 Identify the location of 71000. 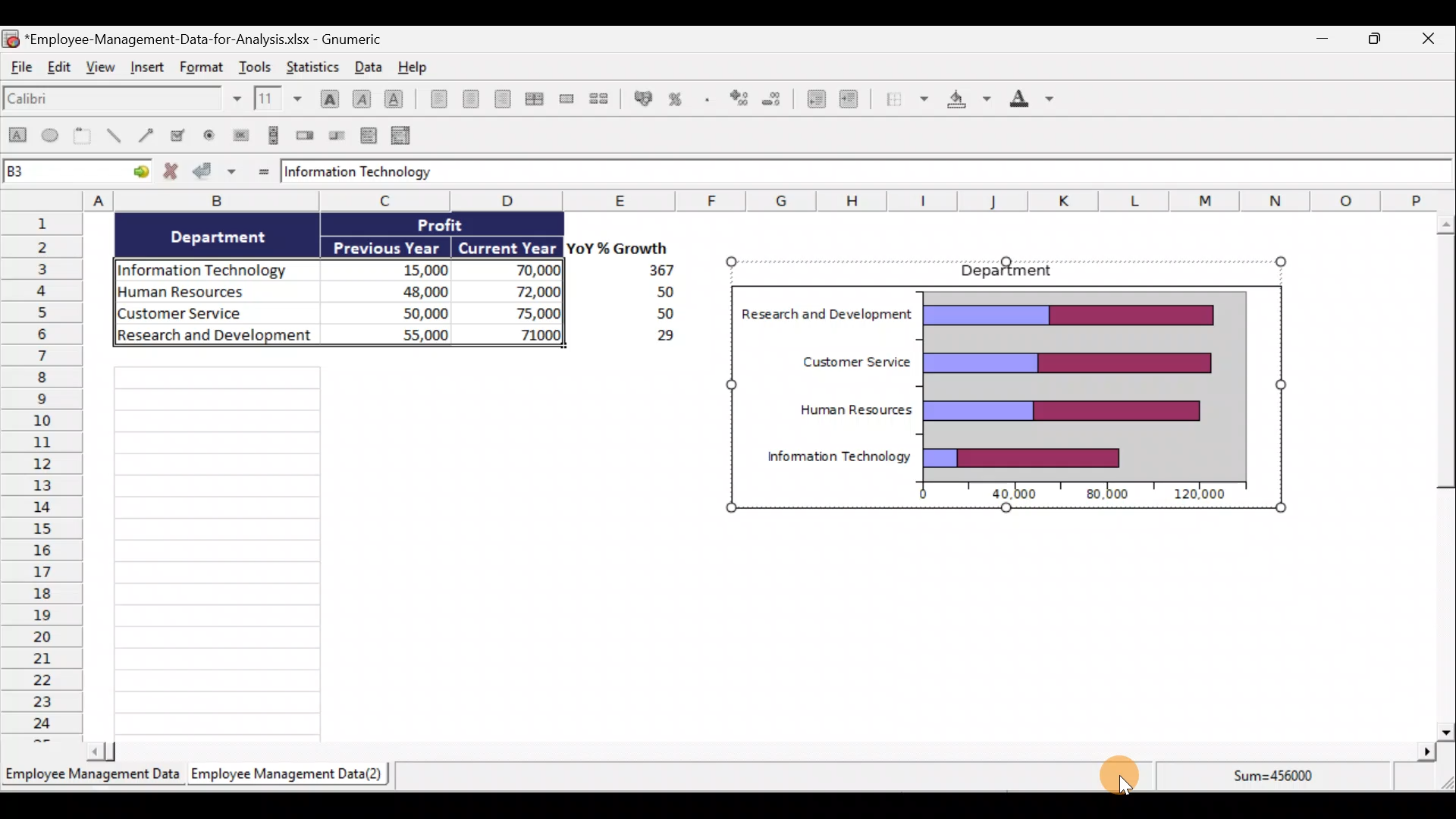
(535, 334).